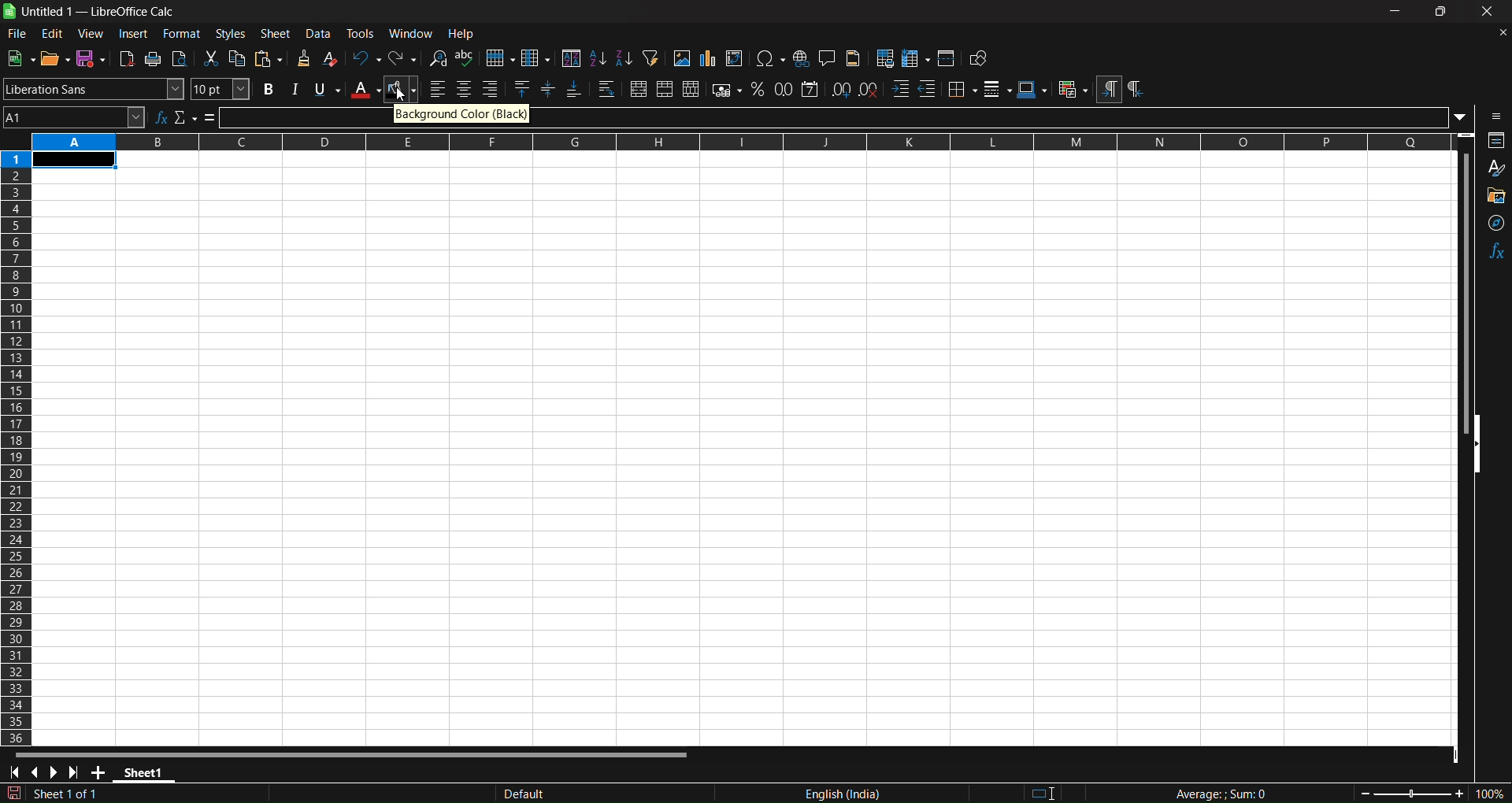 This screenshot has height=803, width=1512. I want to click on heders and footer, so click(855, 59).